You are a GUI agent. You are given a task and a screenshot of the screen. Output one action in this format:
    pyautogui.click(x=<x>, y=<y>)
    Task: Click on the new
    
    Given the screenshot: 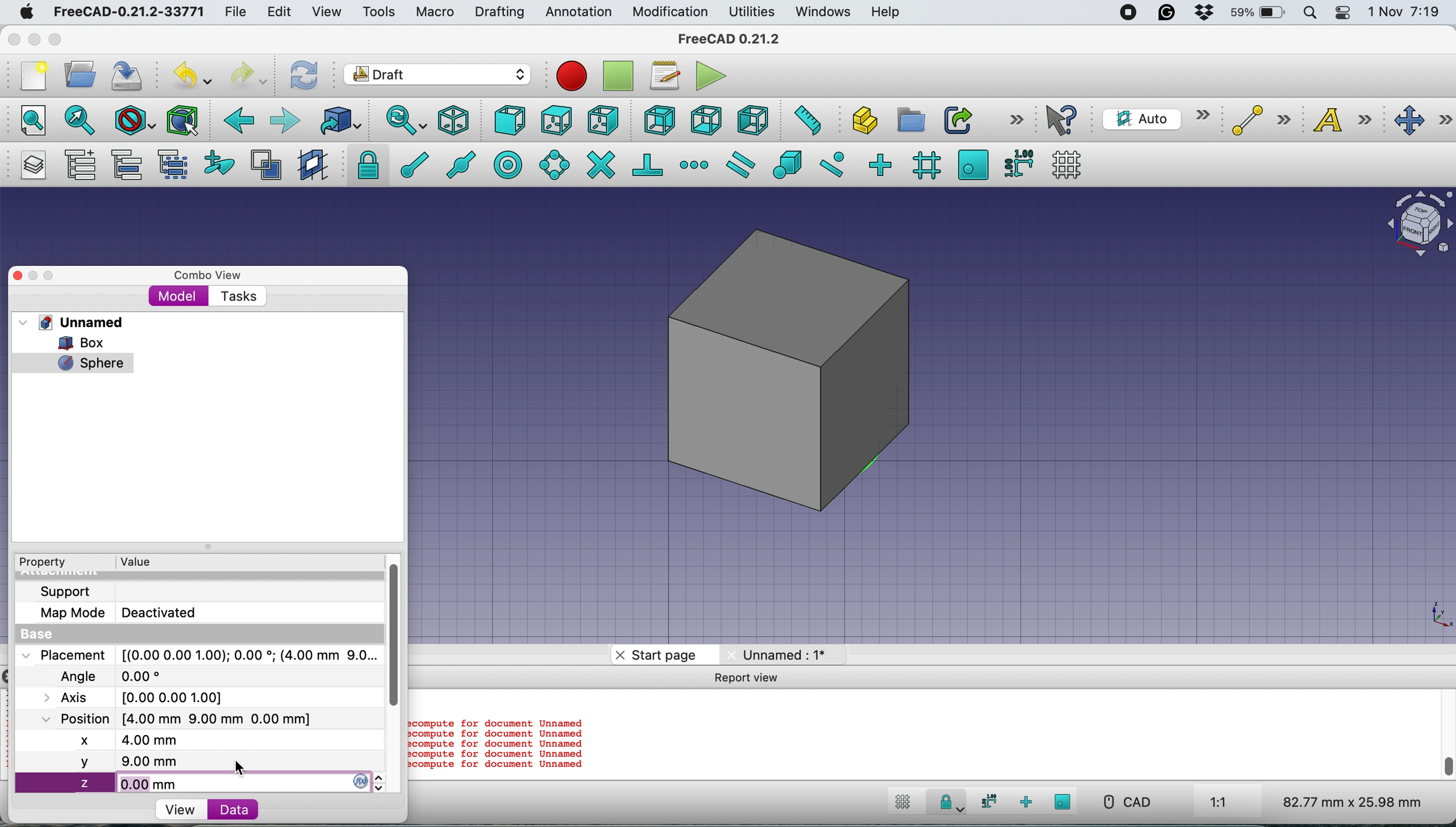 What is the action you would take?
    pyautogui.click(x=30, y=76)
    